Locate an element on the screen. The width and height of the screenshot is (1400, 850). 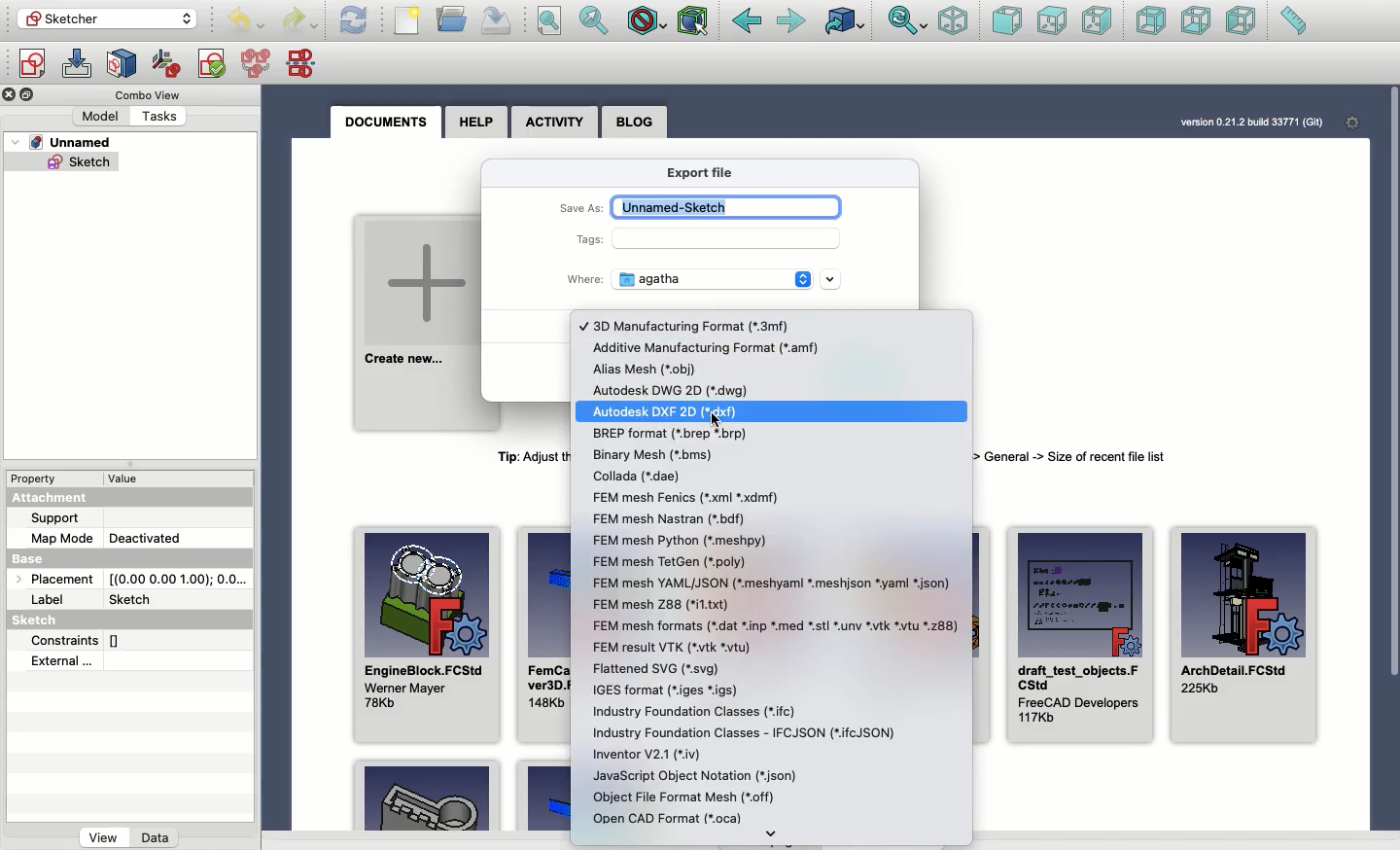
Example 2 is located at coordinates (543, 797).